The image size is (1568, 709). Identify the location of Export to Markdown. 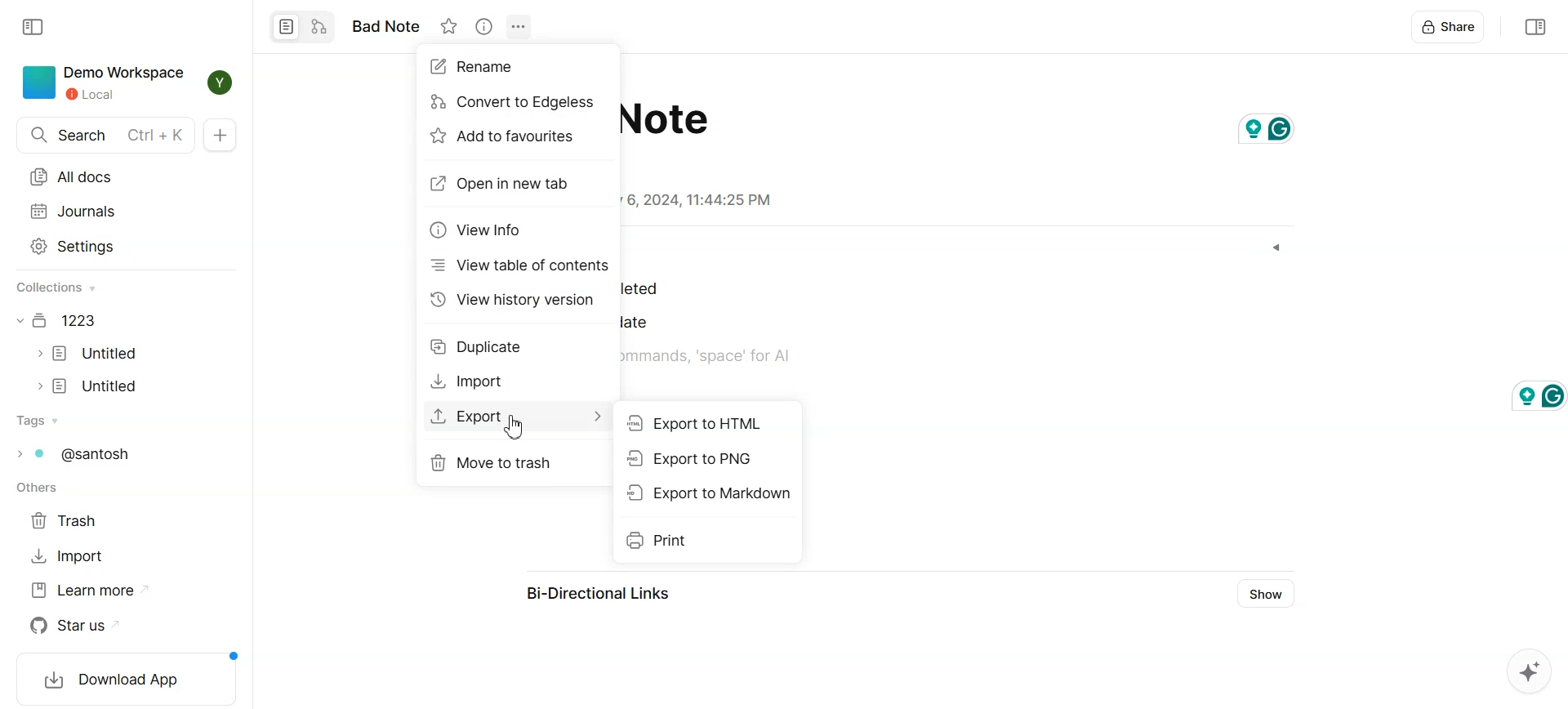
(706, 492).